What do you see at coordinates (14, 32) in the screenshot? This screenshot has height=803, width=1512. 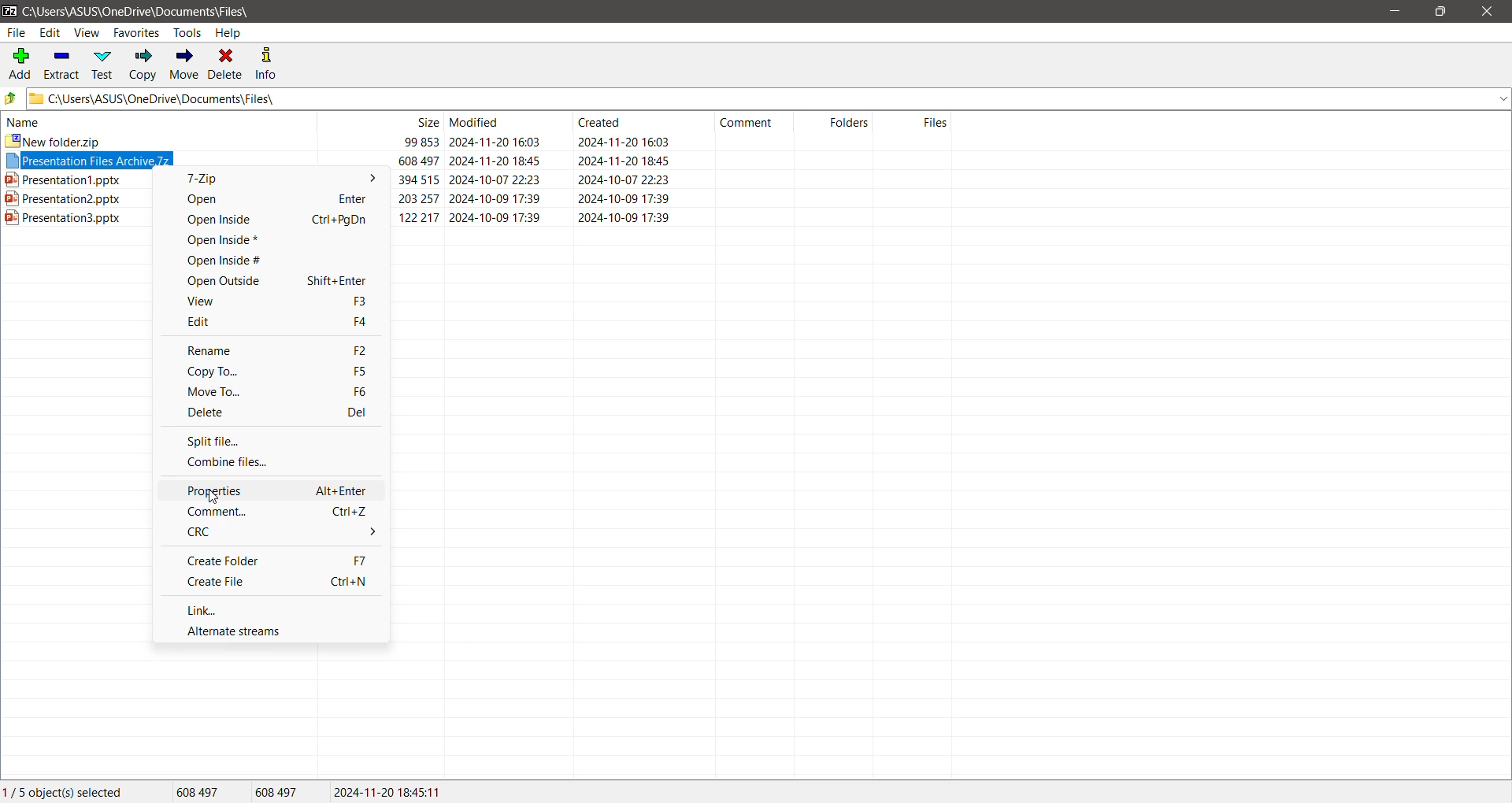 I see `File` at bounding box center [14, 32].